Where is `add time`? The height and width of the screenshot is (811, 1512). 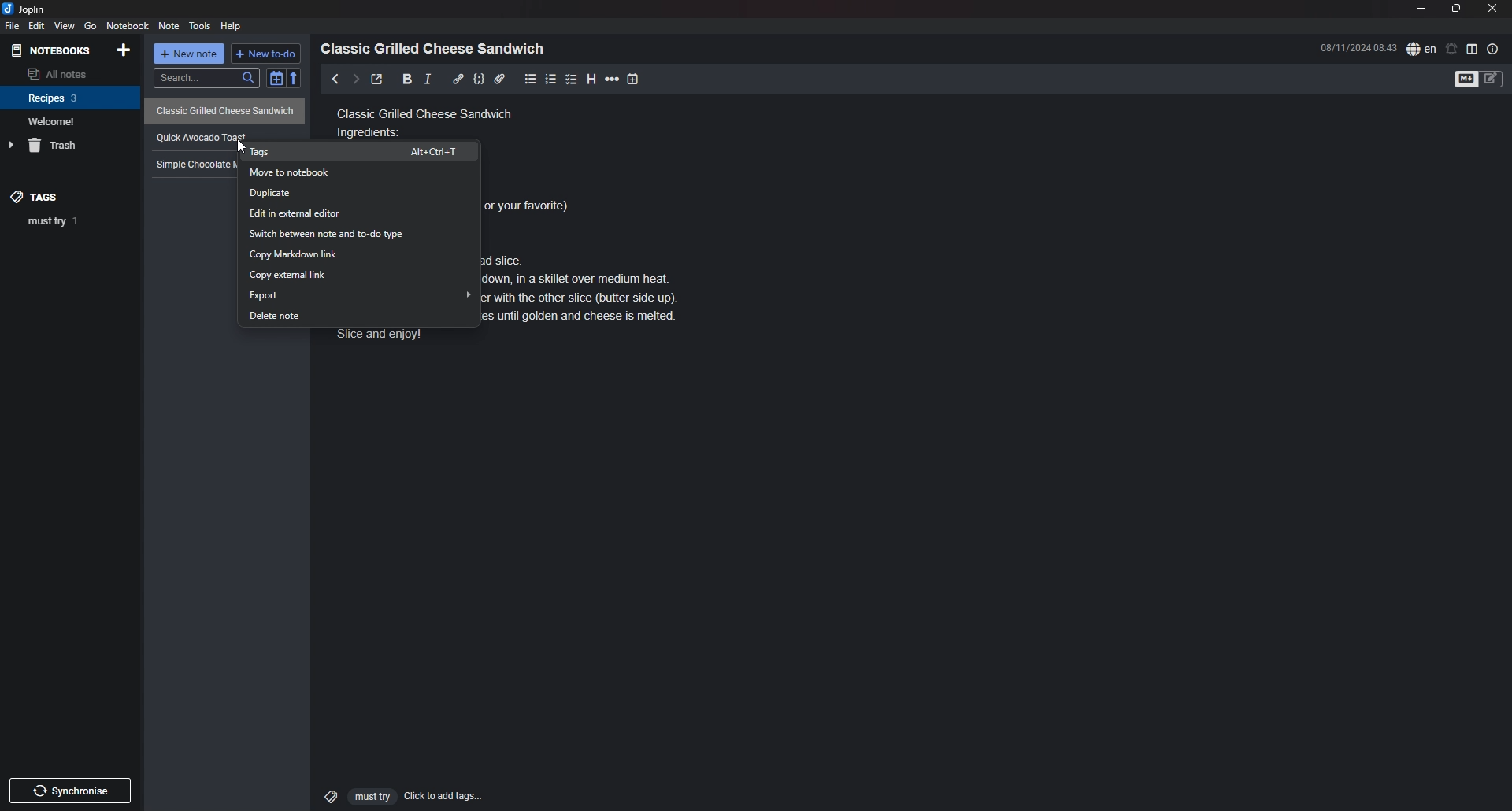 add time is located at coordinates (635, 79).